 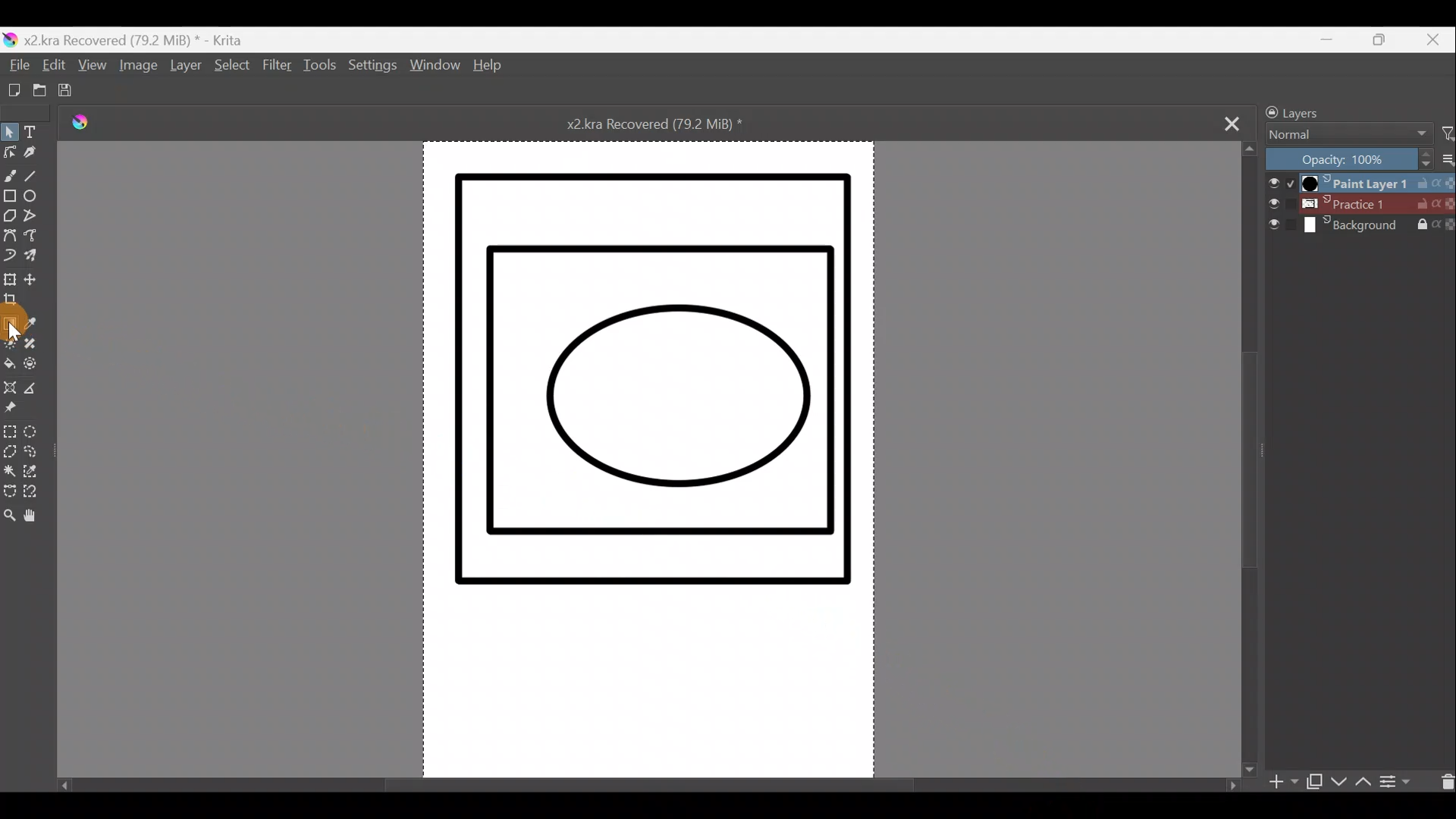 I want to click on Close, so click(x=1436, y=39).